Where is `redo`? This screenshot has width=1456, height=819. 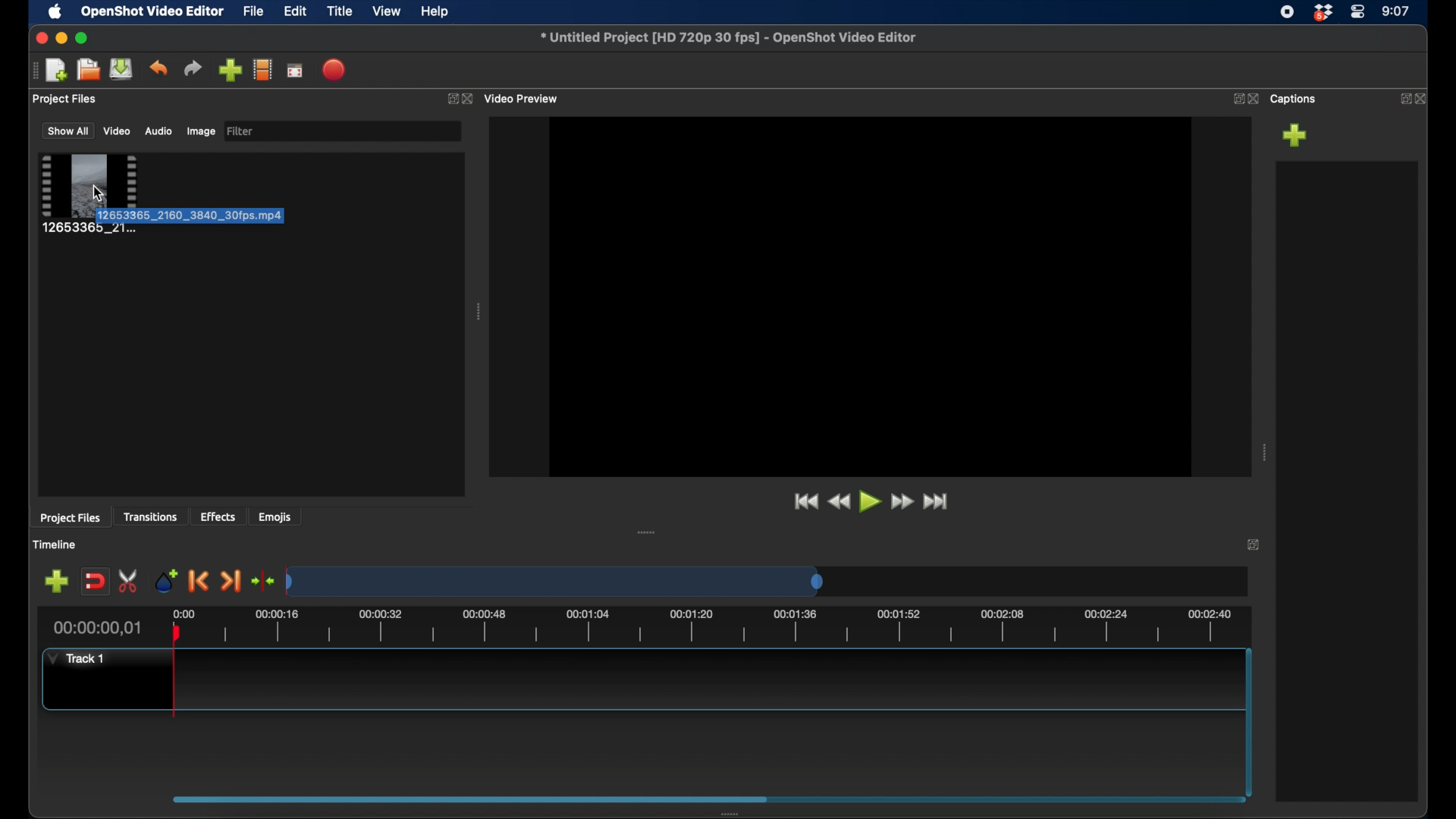 redo is located at coordinates (193, 68).